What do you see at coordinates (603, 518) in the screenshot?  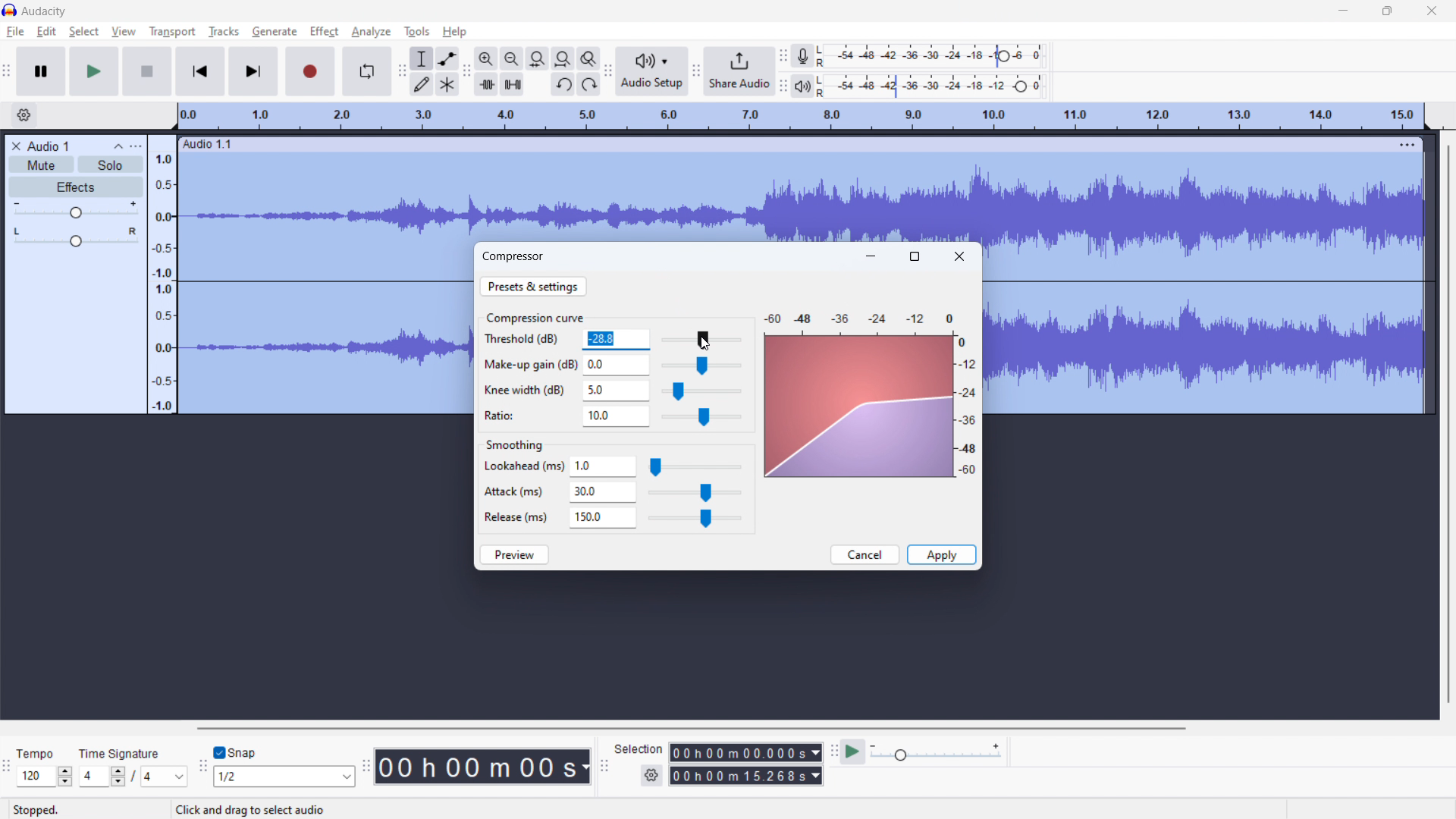 I see `150.0` at bounding box center [603, 518].